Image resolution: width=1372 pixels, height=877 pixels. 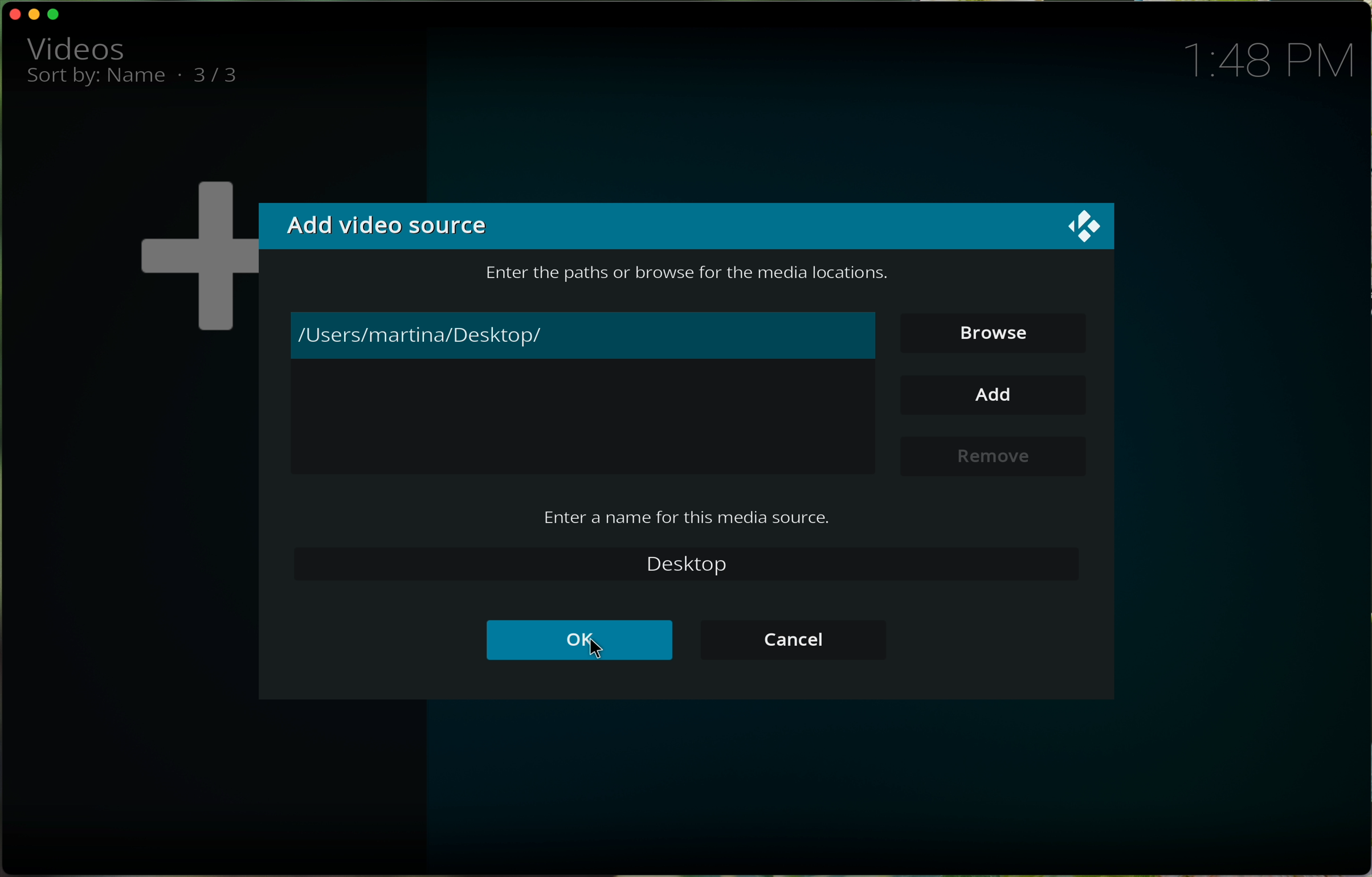 What do you see at coordinates (582, 334) in the screenshot?
I see `users/martina/desktop` at bounding box center [582, 334].